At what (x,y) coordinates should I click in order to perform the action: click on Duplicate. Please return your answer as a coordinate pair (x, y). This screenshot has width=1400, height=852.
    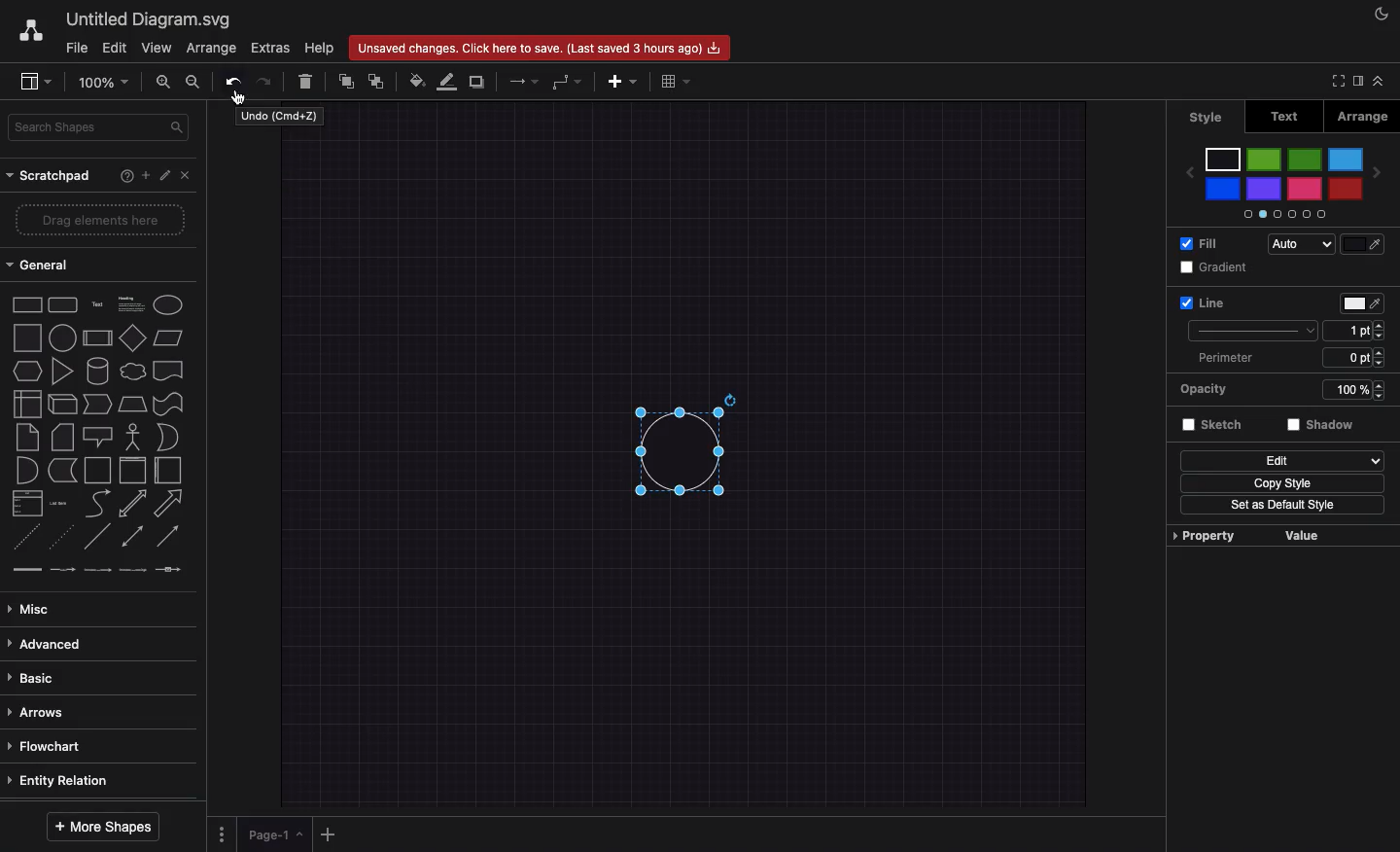
    Looking at the image, I should click on (478, 81).